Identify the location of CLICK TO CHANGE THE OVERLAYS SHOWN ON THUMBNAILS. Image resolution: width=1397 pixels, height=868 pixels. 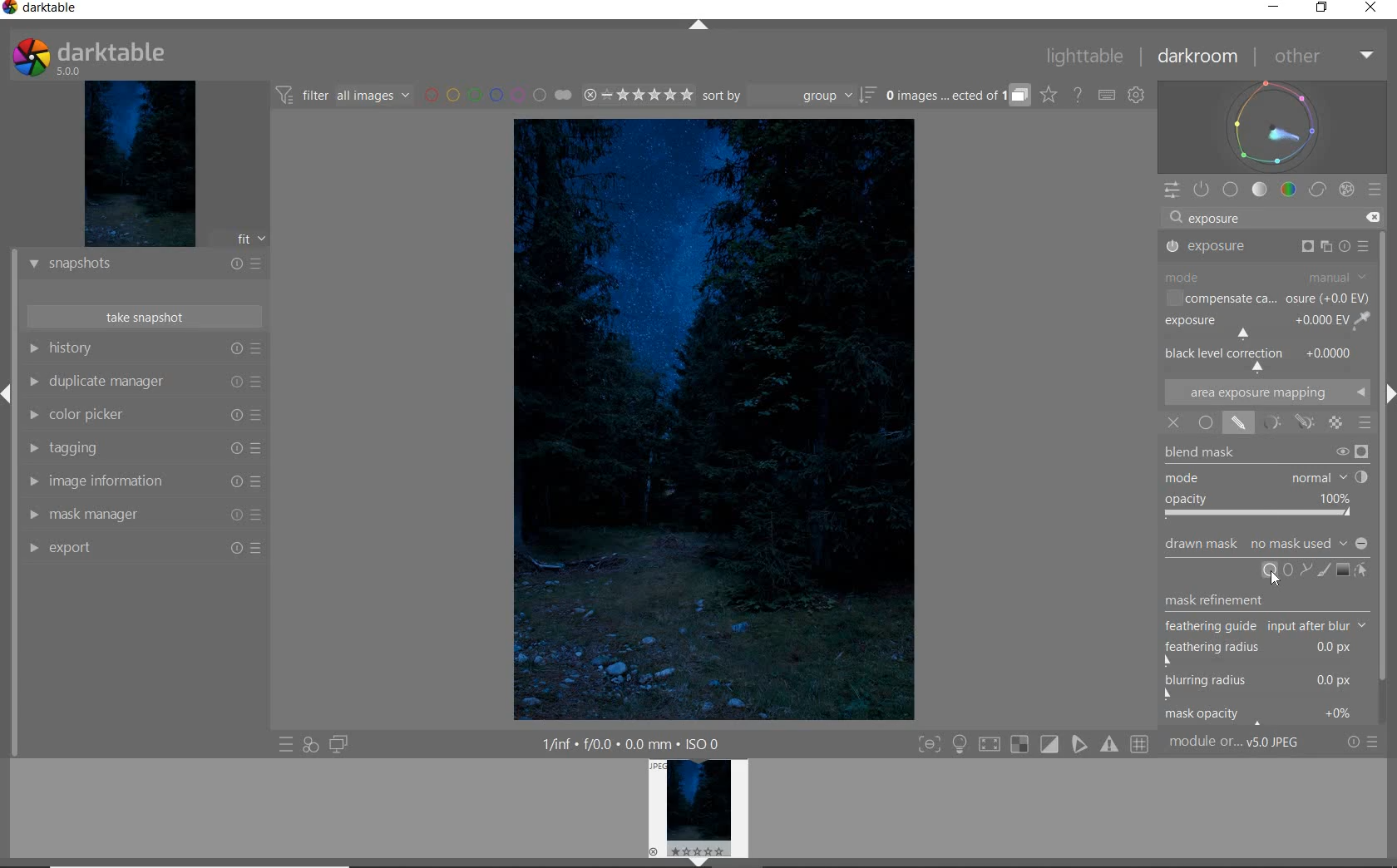
(1049, 95).